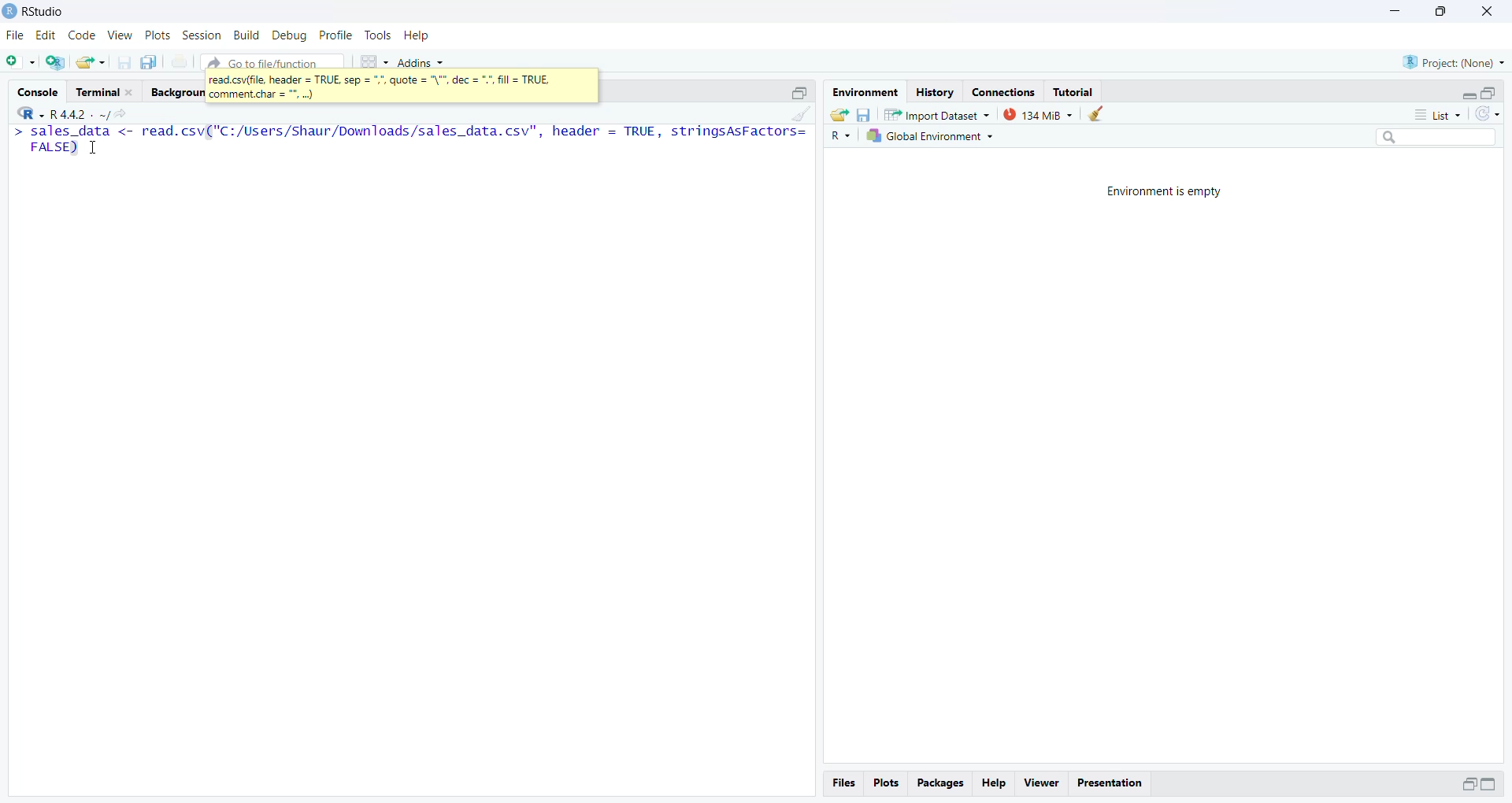  What do you see at coordinates (1003, 92) in the screenshot?
I see `Connections` at bounding box center [1003, 92].